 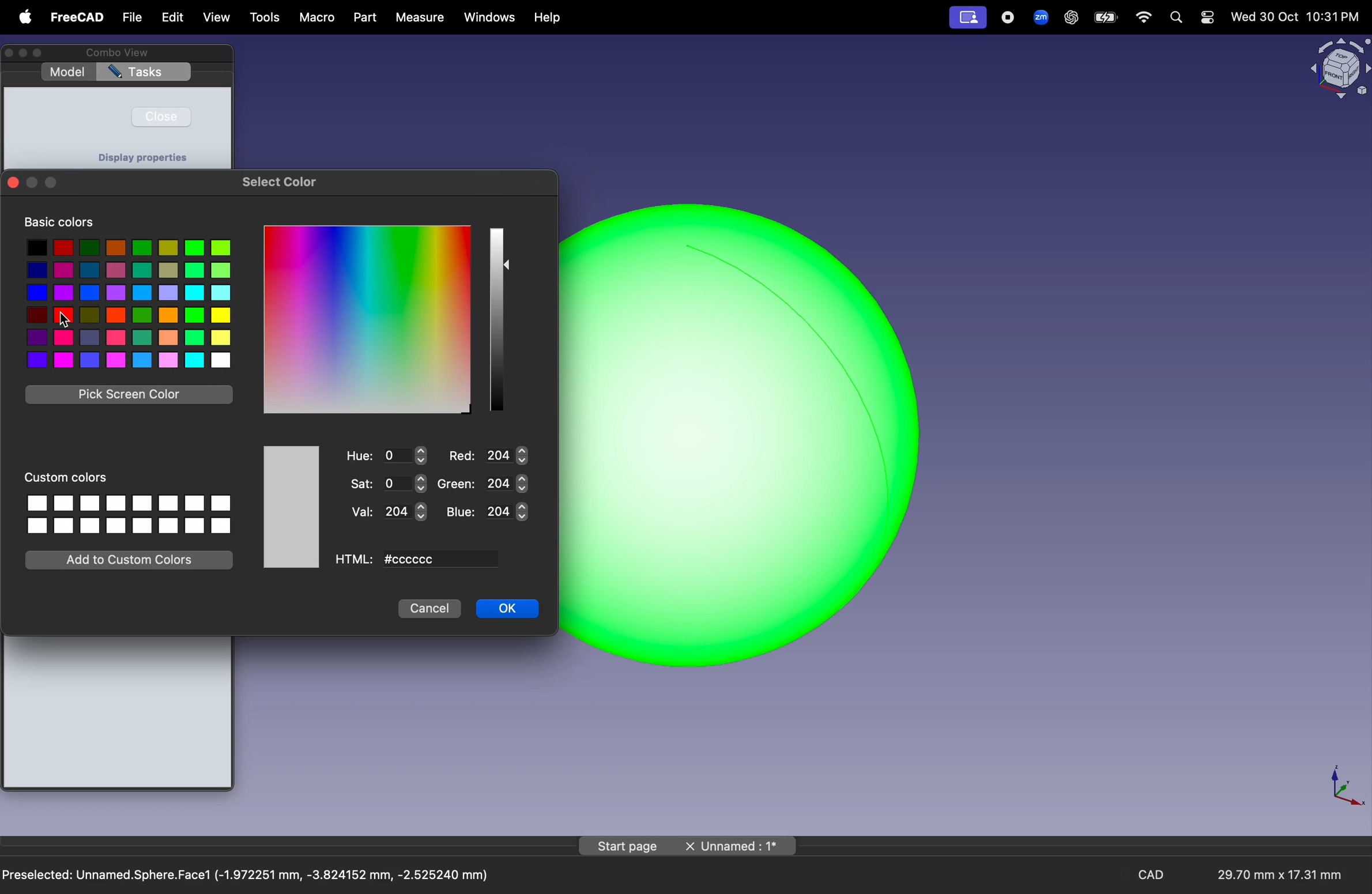 What do you see at coordinates (25, 53) in the screenshot?
I see `minimize` at bounding box center [25, 53].